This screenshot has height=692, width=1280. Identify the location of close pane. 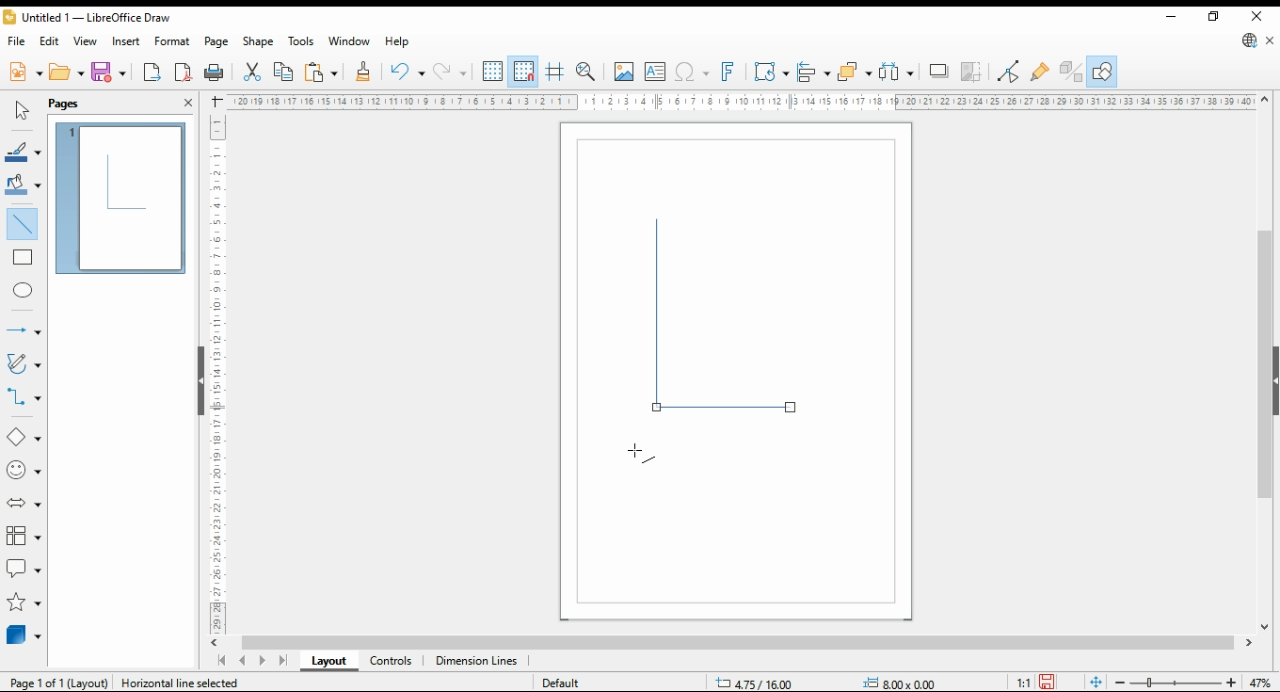
(187, 101).